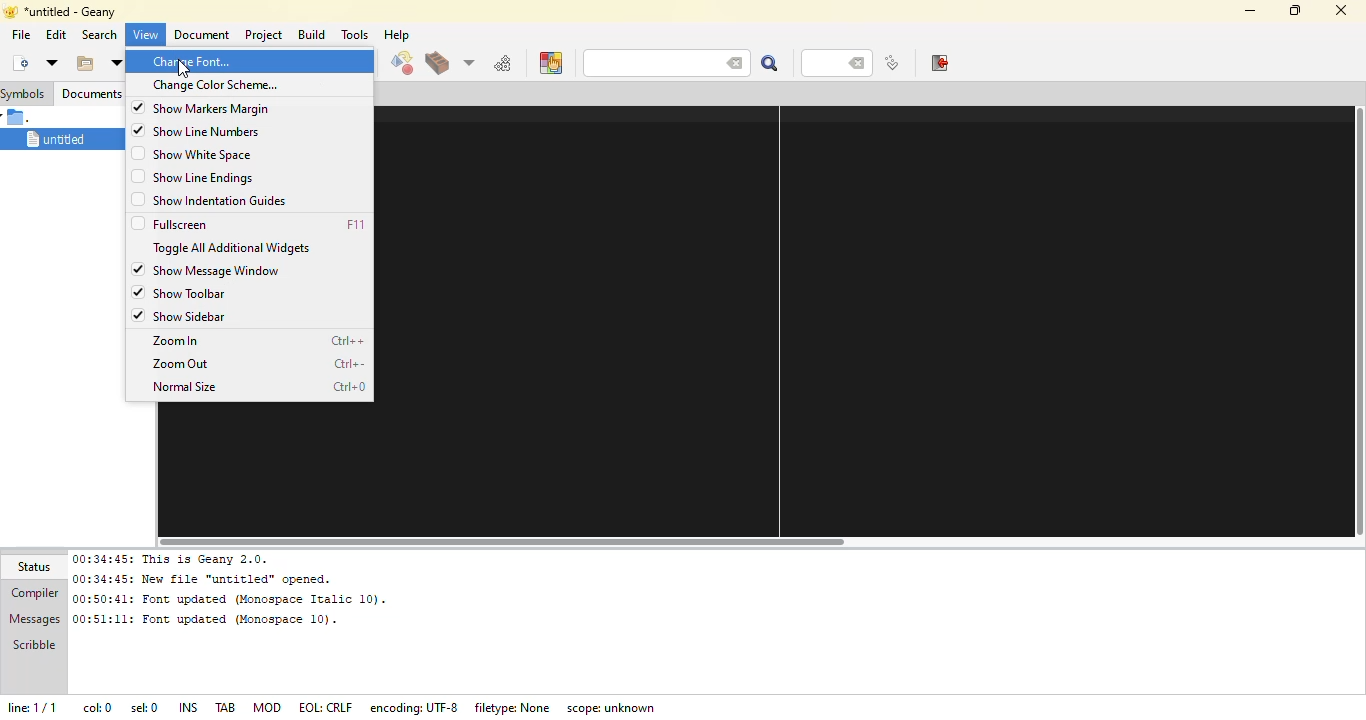  What do you see at coordinates (207, 177) in the screenshot?
I see `show line endings` at bounding box center [207, 177].